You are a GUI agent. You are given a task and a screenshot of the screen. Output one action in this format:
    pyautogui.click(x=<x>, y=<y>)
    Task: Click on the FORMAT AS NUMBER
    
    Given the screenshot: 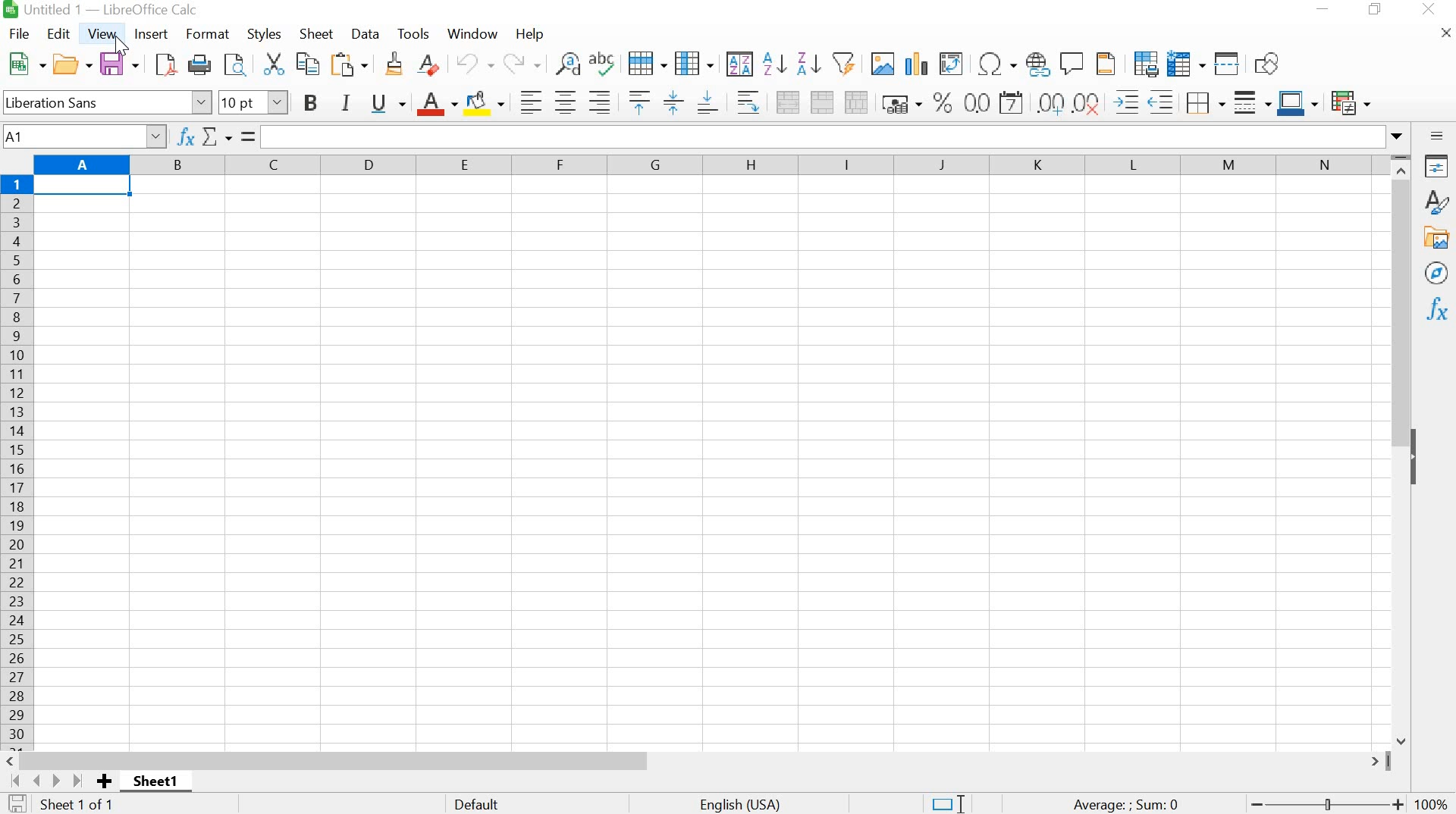 What is the action you would take?
    pyautogui.click(x=977, y=102)
    